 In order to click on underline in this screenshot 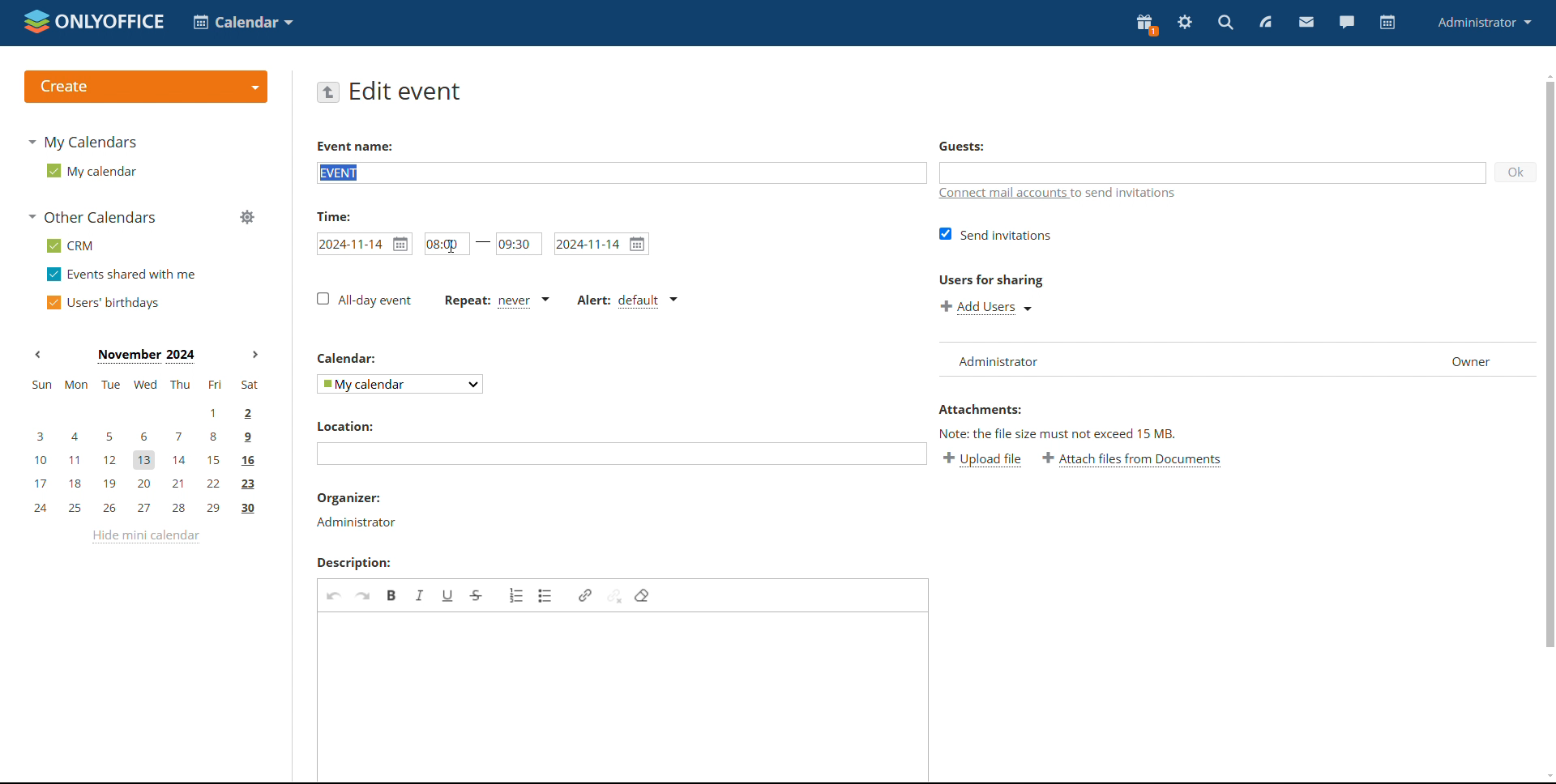, I will do `click(448, 595)`.